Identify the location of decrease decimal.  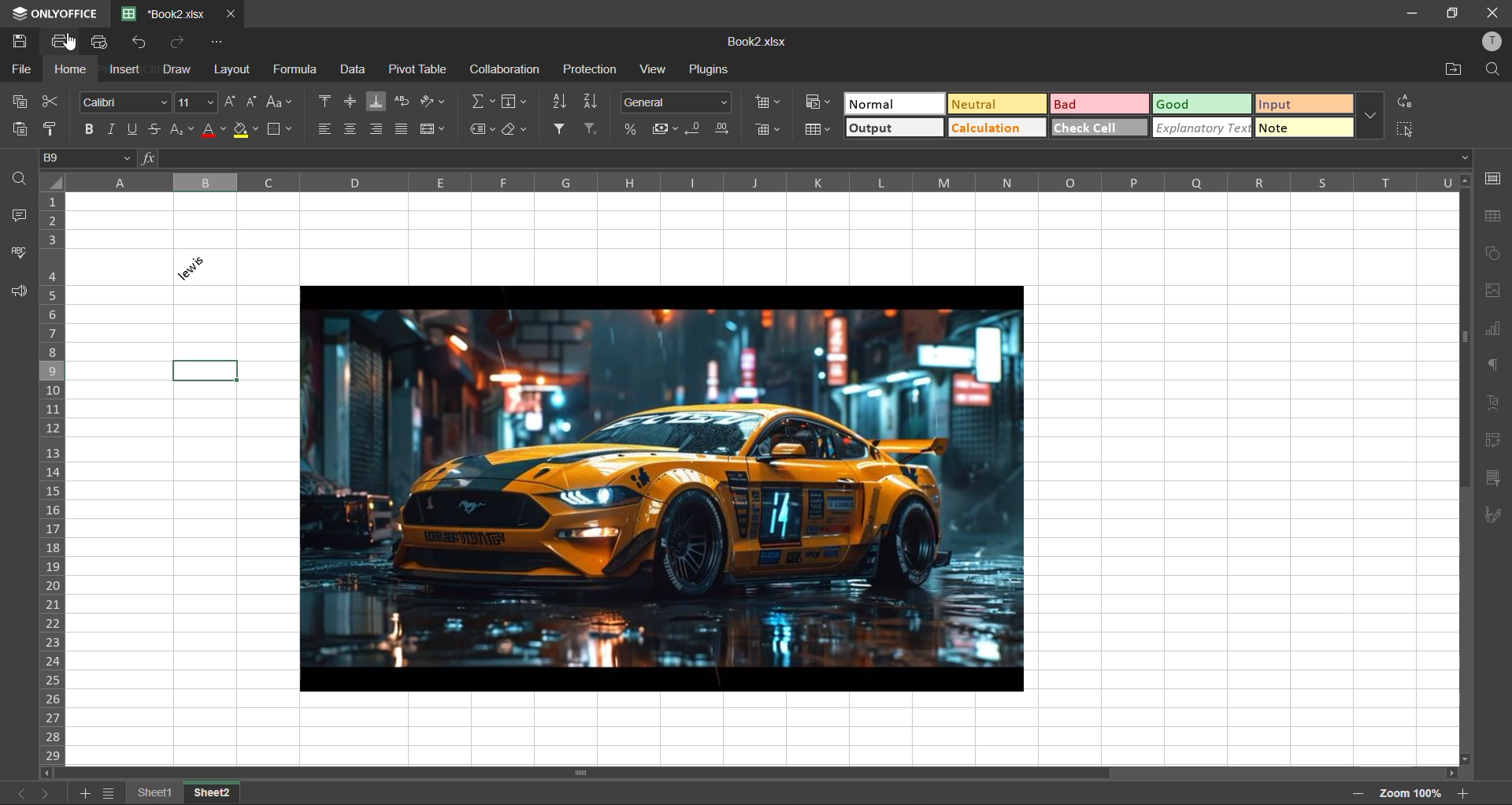
(696, 129).